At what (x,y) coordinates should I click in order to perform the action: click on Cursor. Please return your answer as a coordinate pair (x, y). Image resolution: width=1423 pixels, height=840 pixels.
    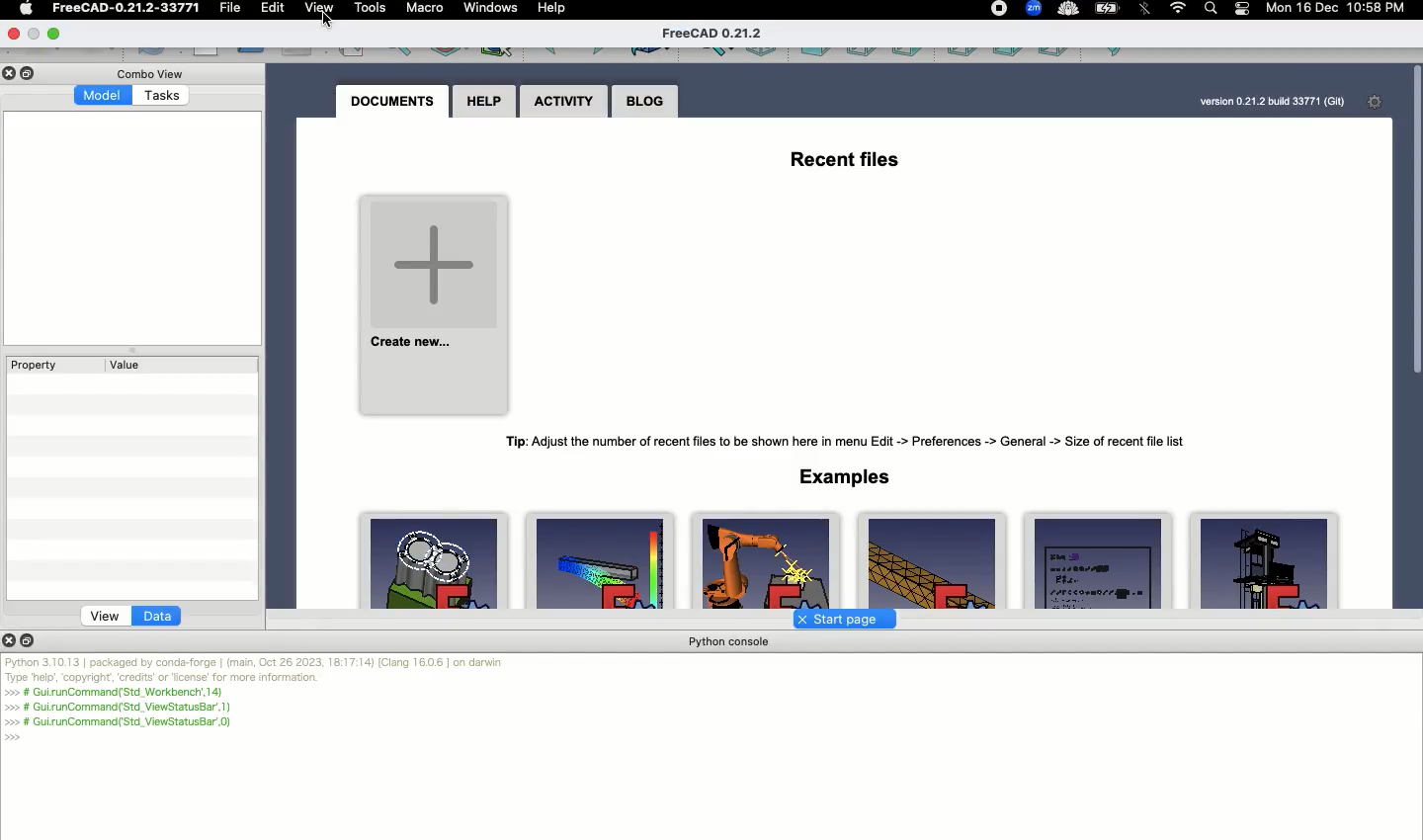
    Looking at the image, I should click on (331, 19).